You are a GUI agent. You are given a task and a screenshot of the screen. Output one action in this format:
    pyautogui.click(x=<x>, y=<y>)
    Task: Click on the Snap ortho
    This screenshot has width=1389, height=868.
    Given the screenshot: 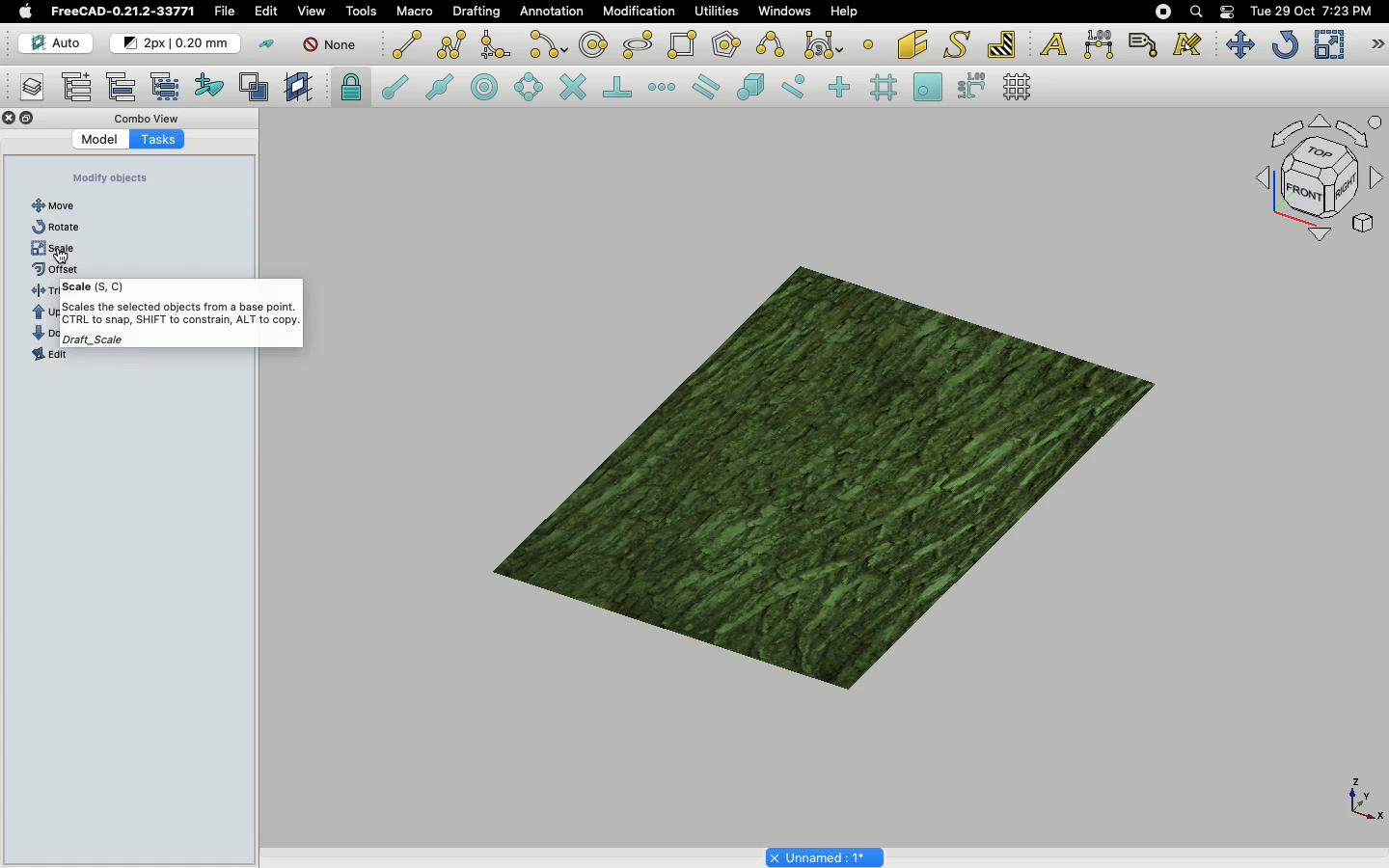 What is the action you would take?
    pyautogui.click(x=833, y=87)
    